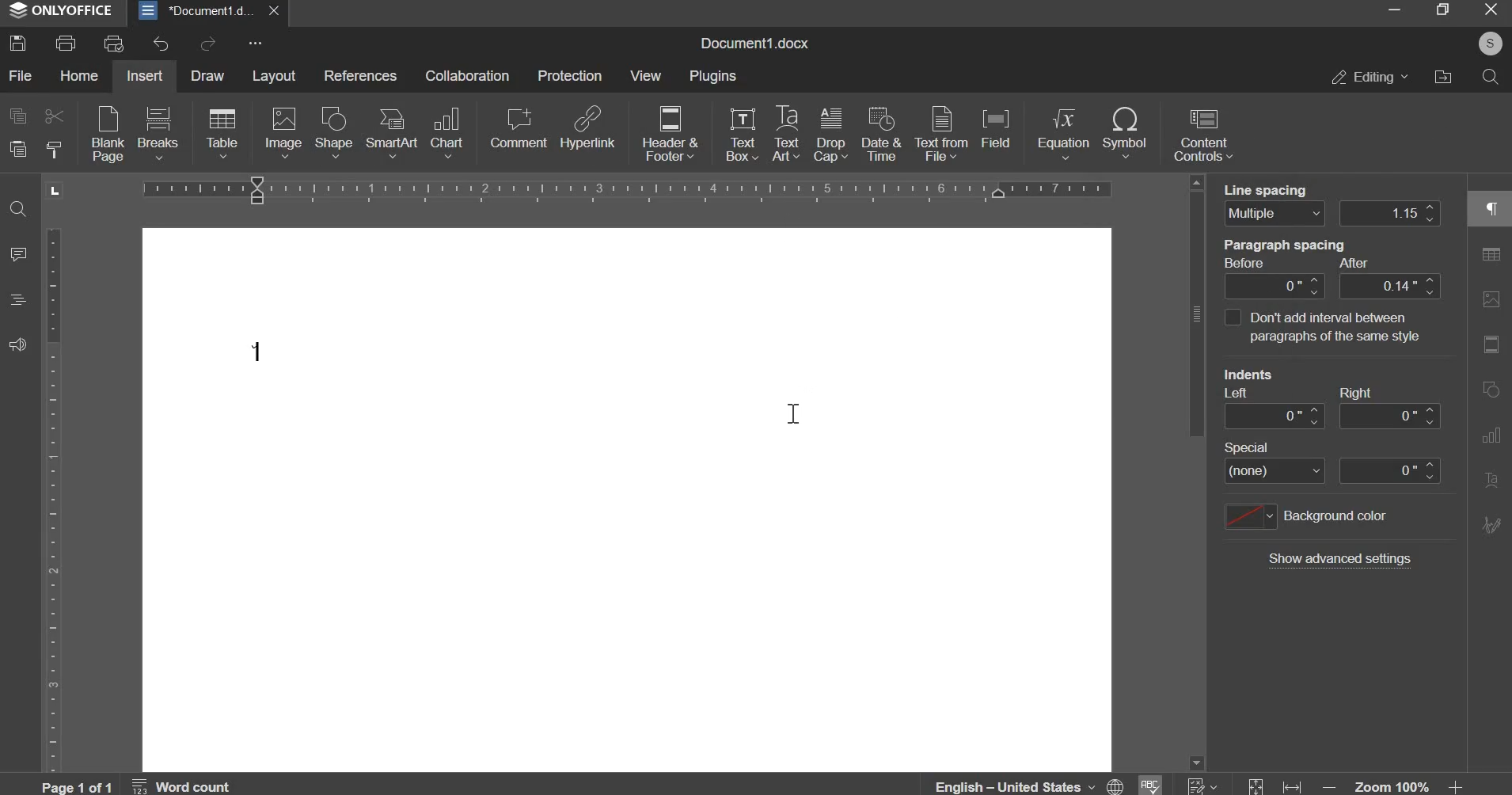 The image size is (1512, 795). I want to click on spelling, so click(1149, 785).